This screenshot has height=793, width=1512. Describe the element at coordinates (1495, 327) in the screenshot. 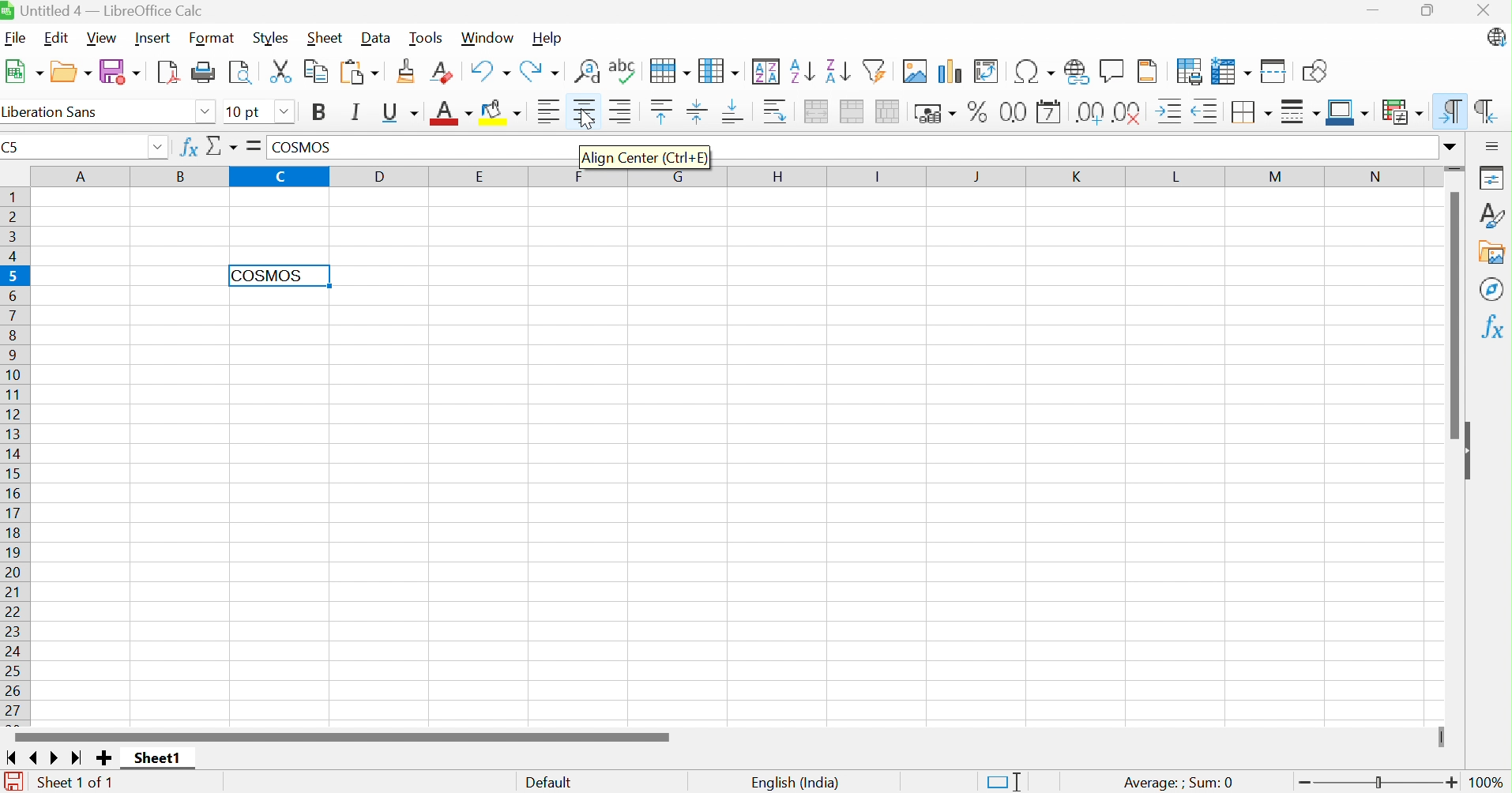

I see `Functions` at that location.